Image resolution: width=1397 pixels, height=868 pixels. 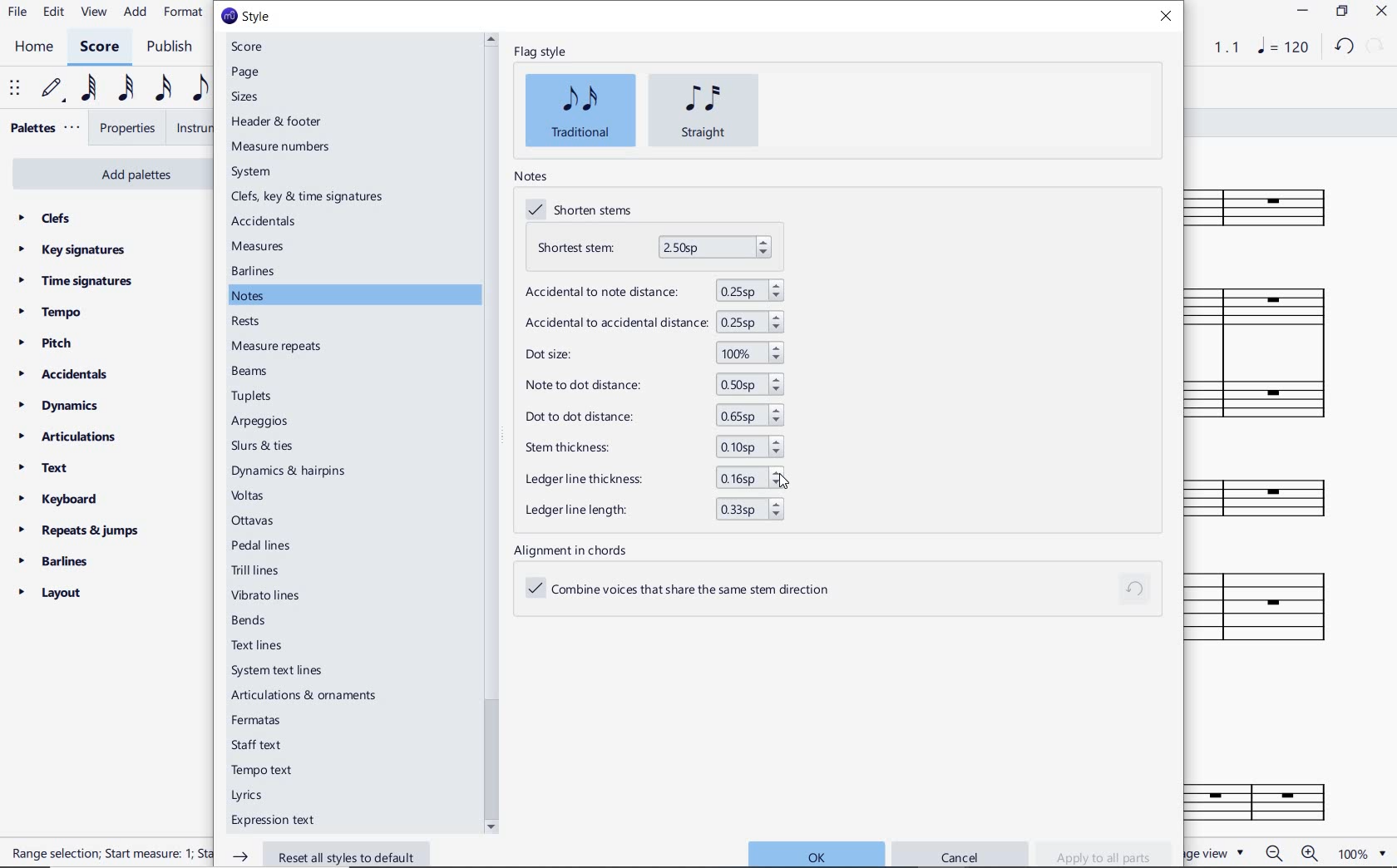 I want to click on tuplets, so click(x=254, y=397).